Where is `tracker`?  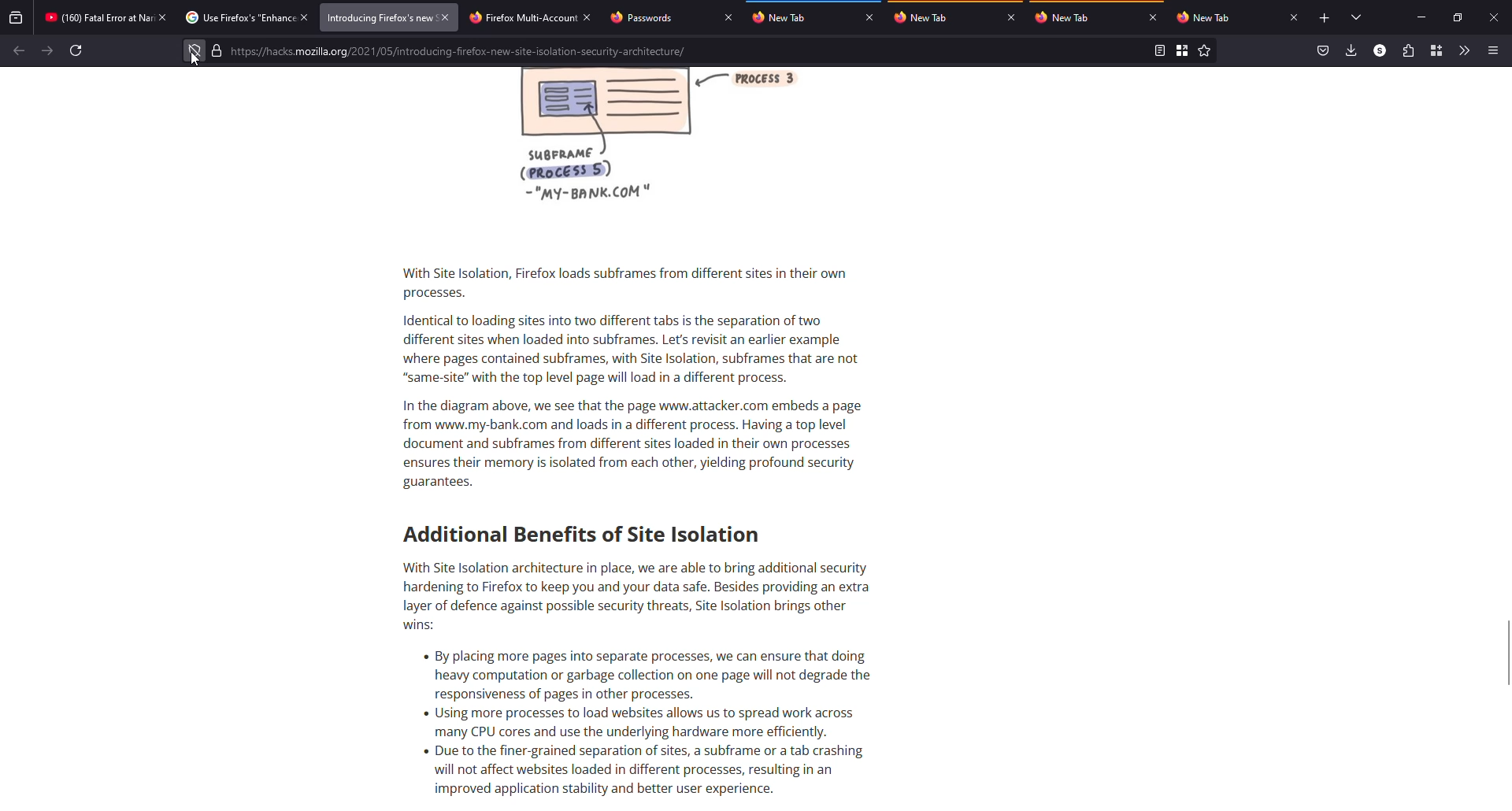 tracker is located at coordinates (195, 51).